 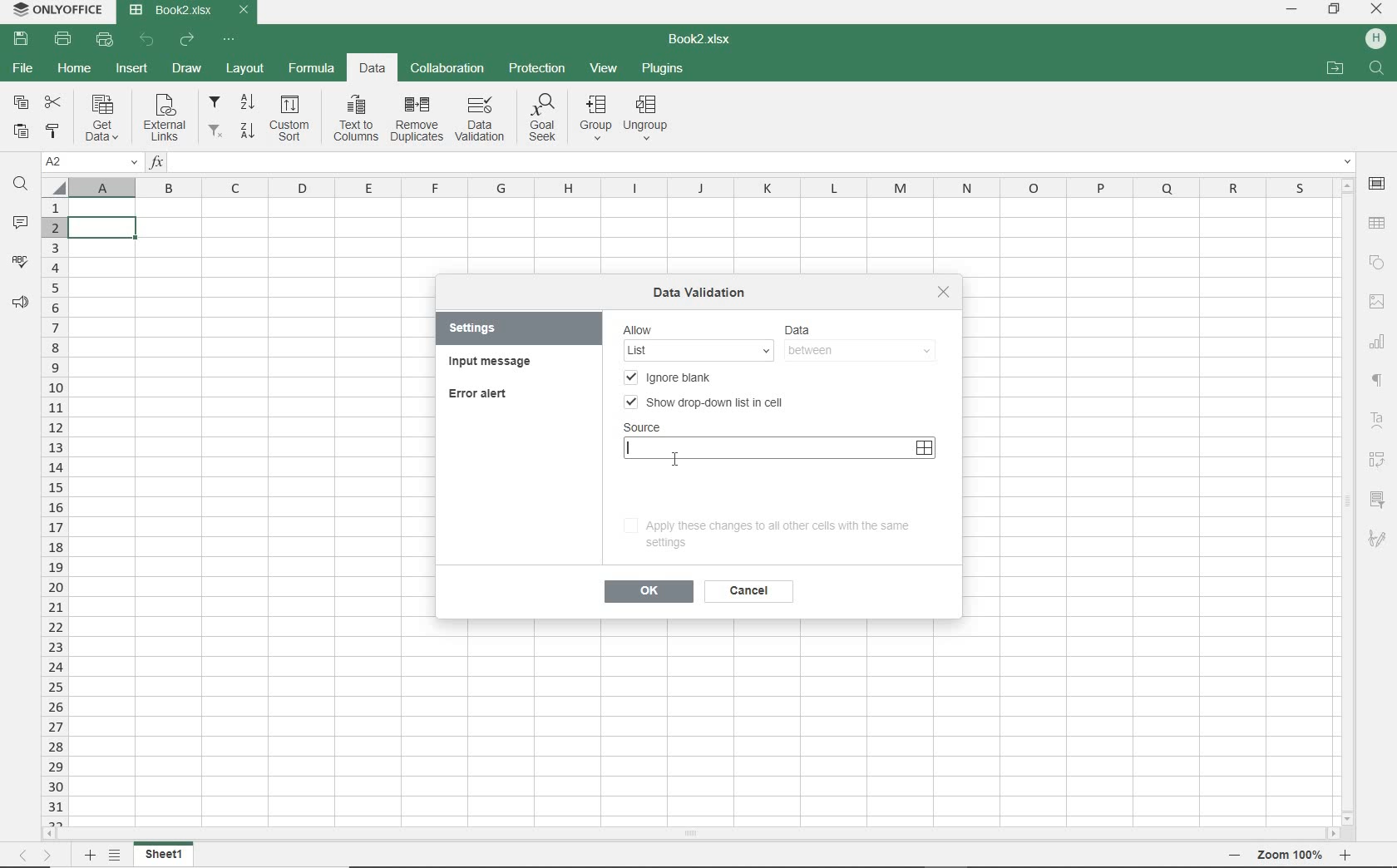 I want to click on CURSOR, so click(x=674, y=457).